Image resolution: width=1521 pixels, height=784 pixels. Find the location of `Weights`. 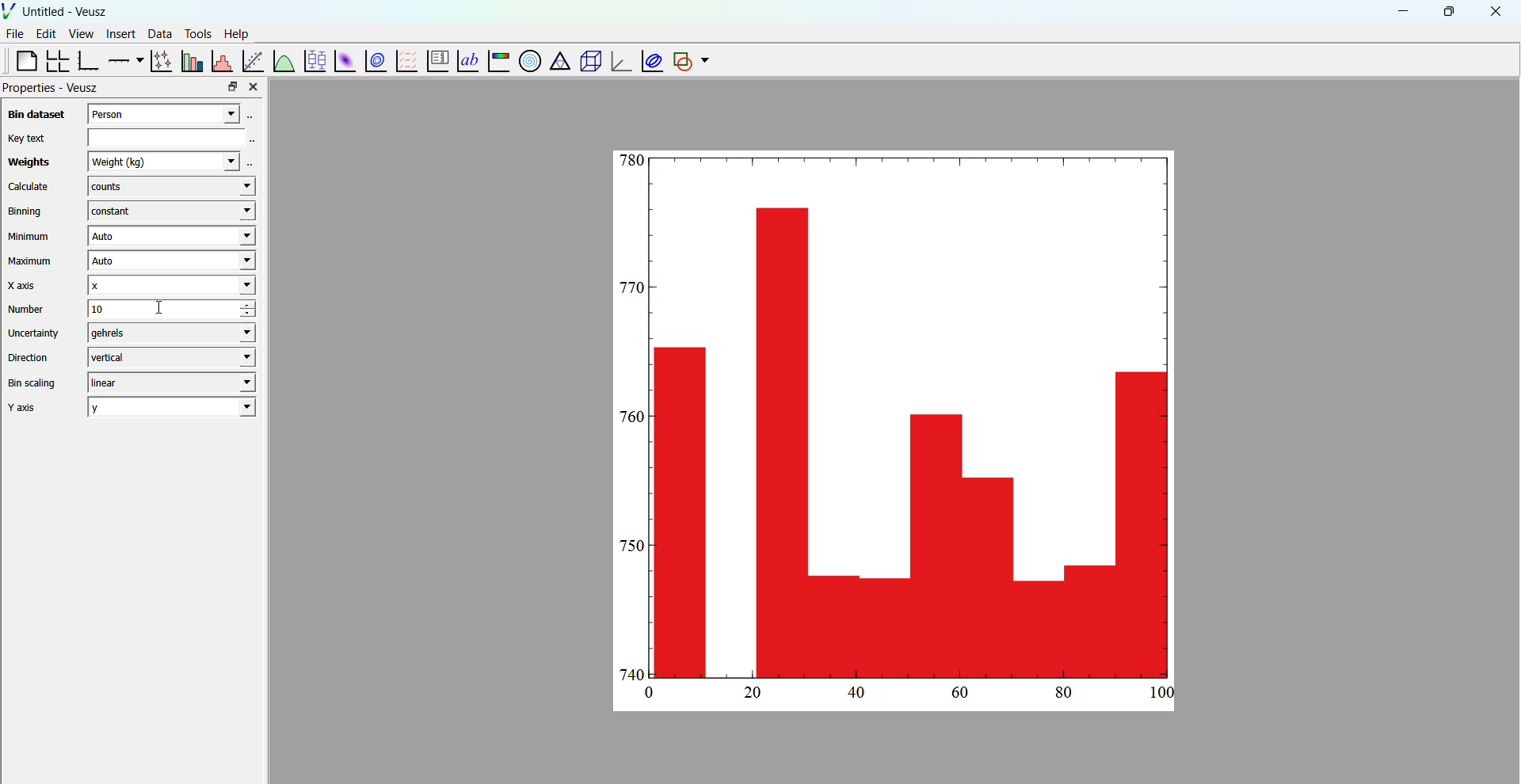

Weights is located at coordinates (26, 163).